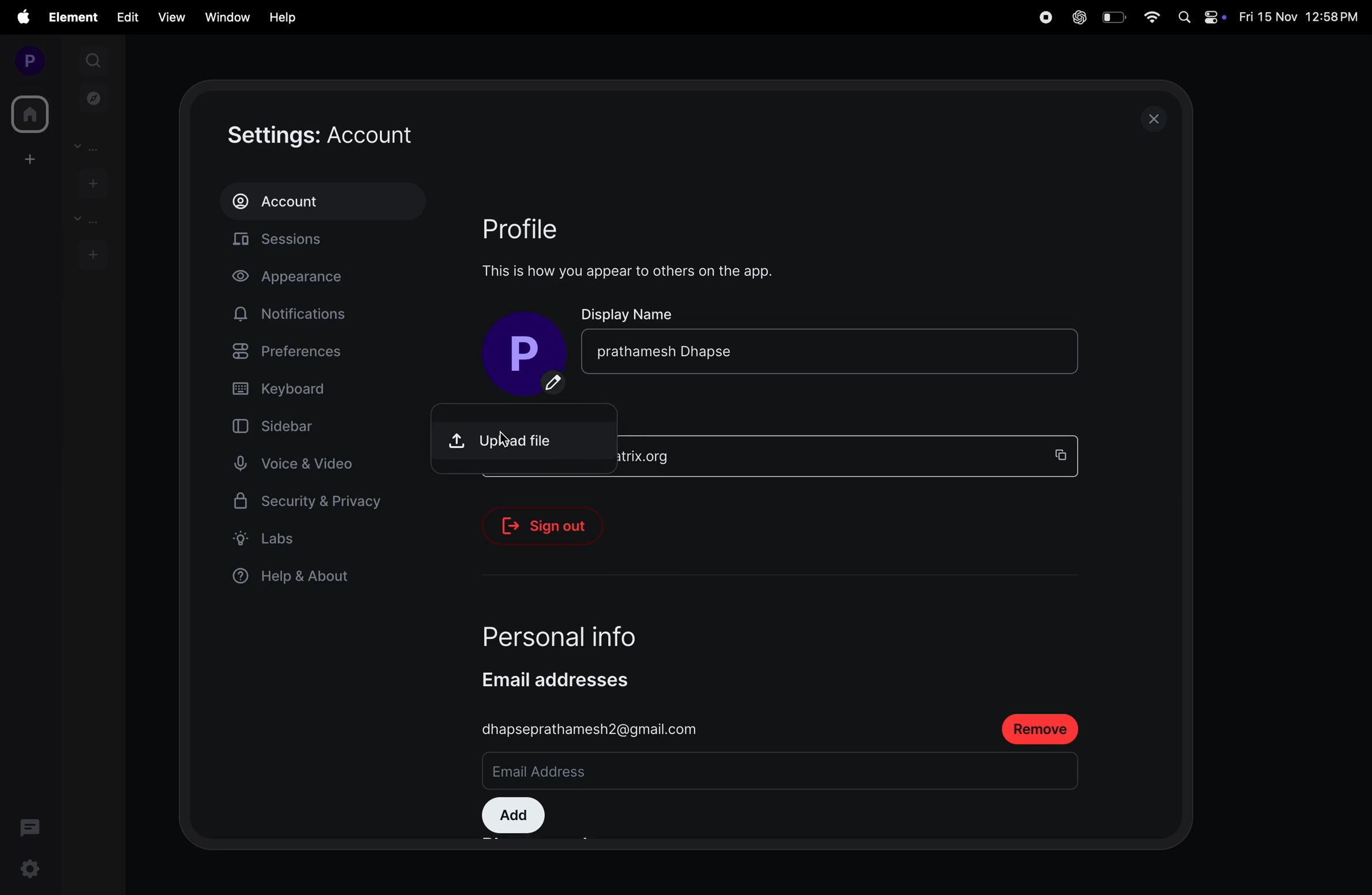 This screenshot has width=1372, height=895. I want to click on apple menu, so click(22, 17).